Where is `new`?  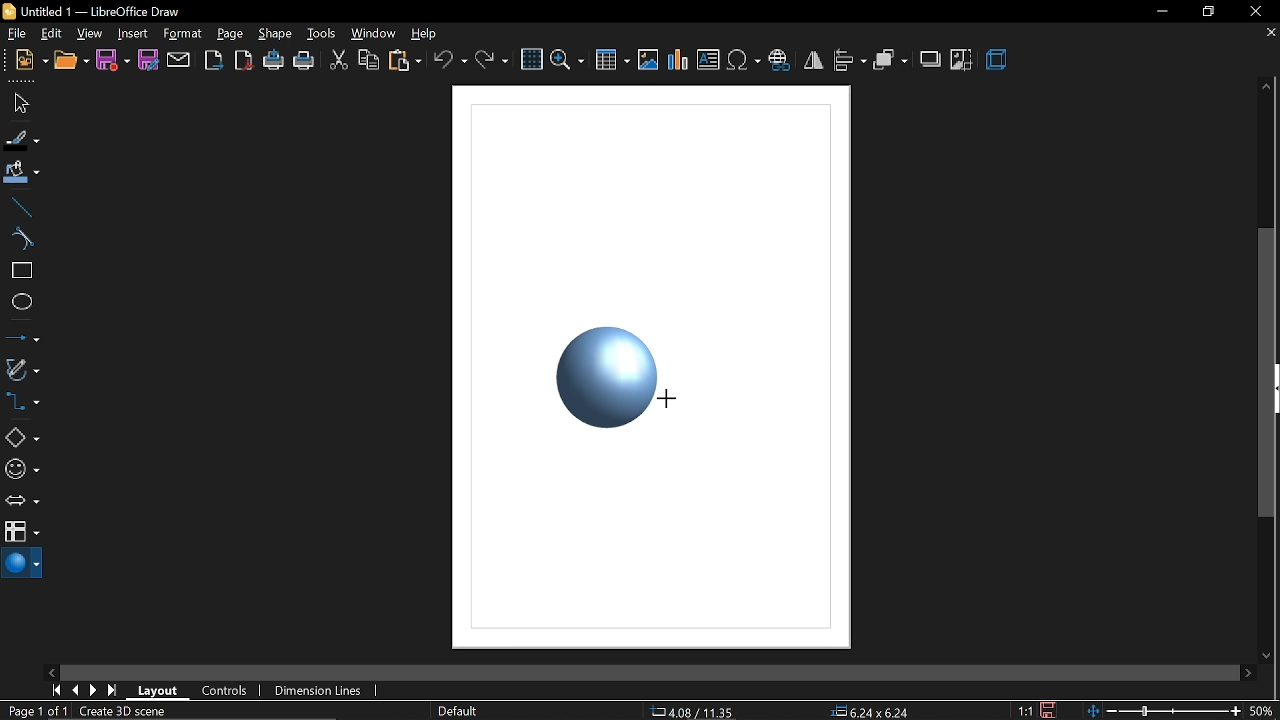
new is located at coordinates (30, 60).